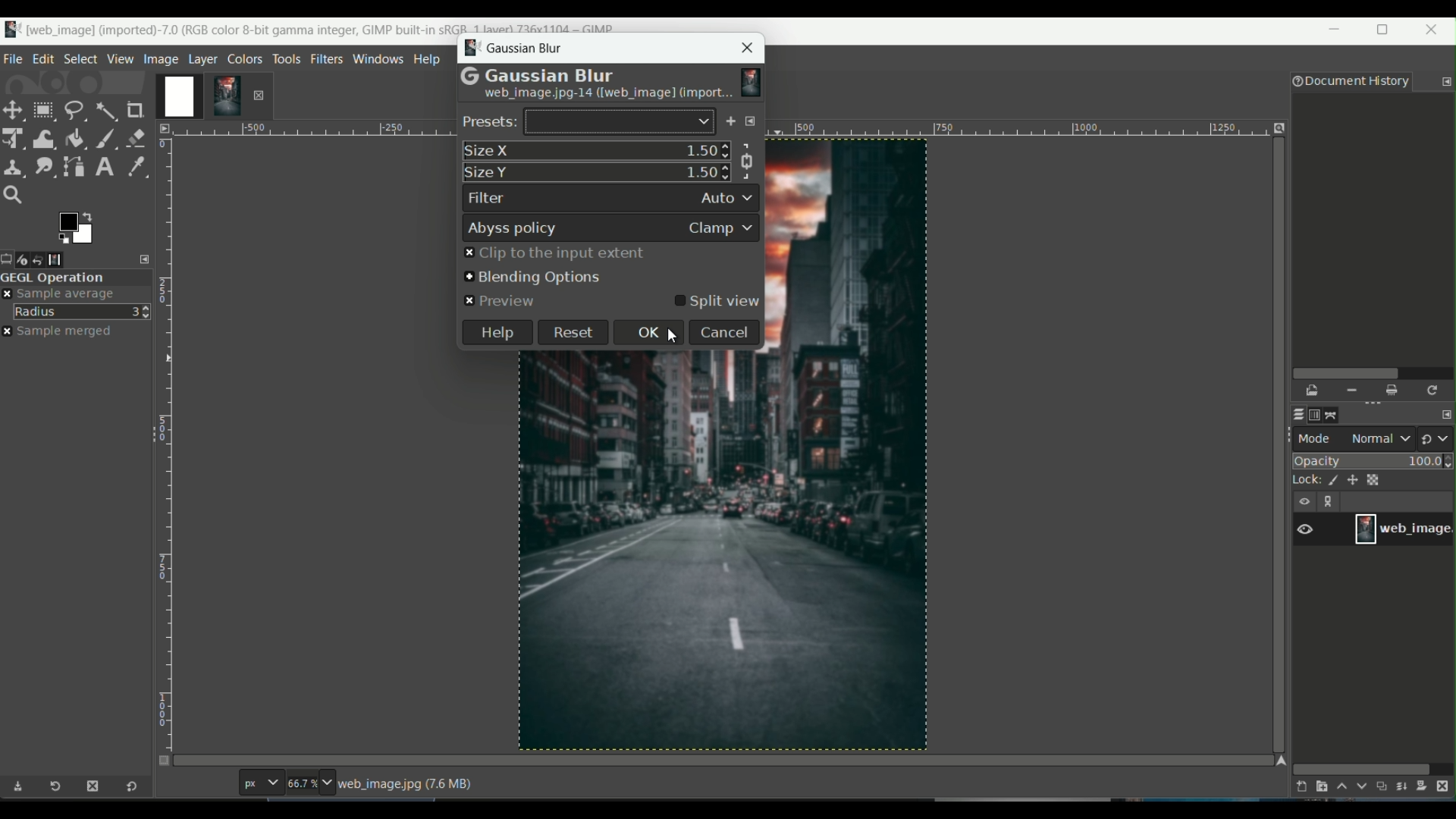  What do you see at coordinates (536, 74) in the screenshot?
I see `gaussian blur` at bounding box center [536, 74].